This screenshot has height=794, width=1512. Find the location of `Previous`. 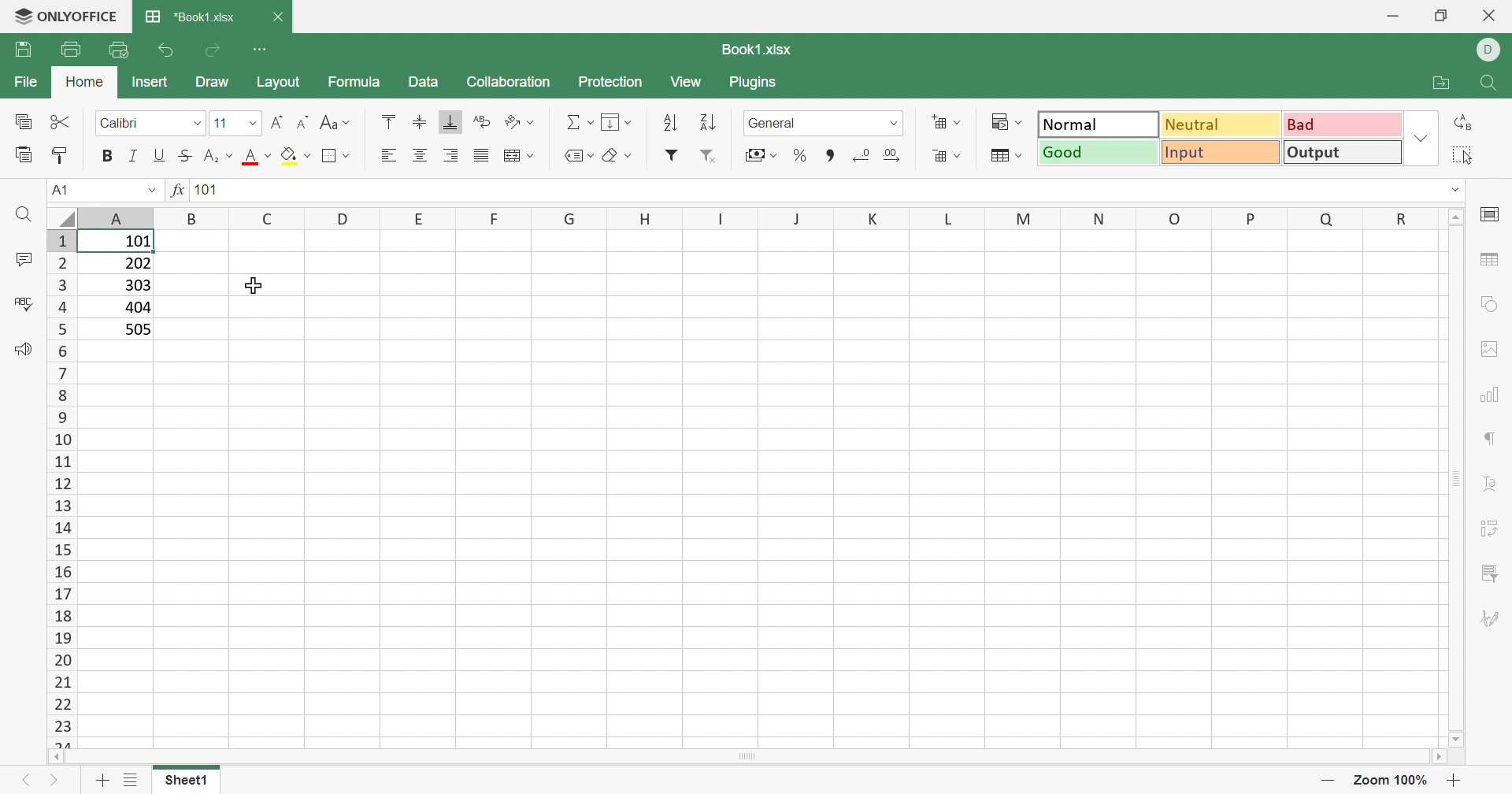

Previous is located at coordinates (23, 779).